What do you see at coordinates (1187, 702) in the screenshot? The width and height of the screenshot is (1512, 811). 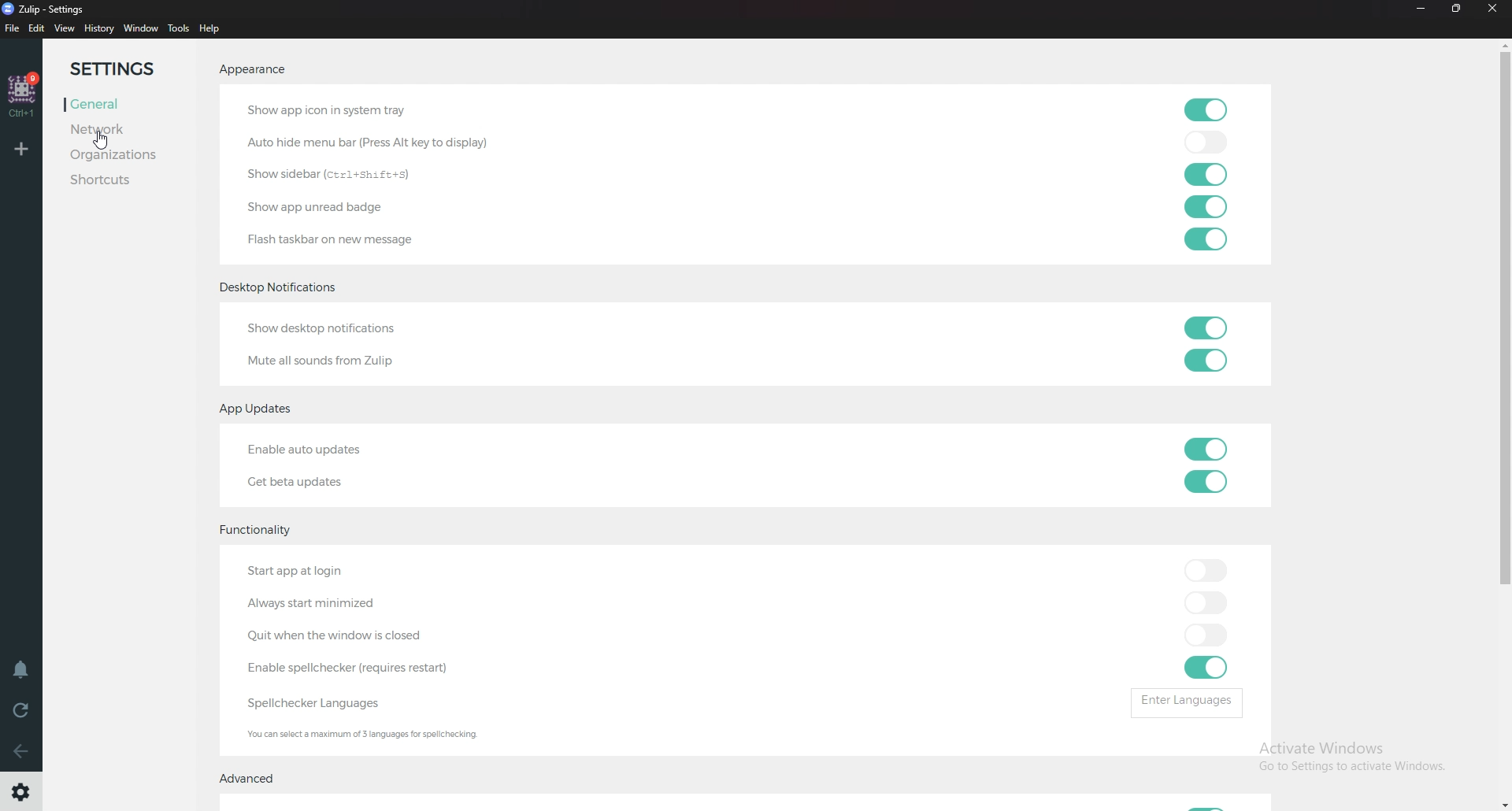 I see `Enter languages` at bounding box center [1187, 702].